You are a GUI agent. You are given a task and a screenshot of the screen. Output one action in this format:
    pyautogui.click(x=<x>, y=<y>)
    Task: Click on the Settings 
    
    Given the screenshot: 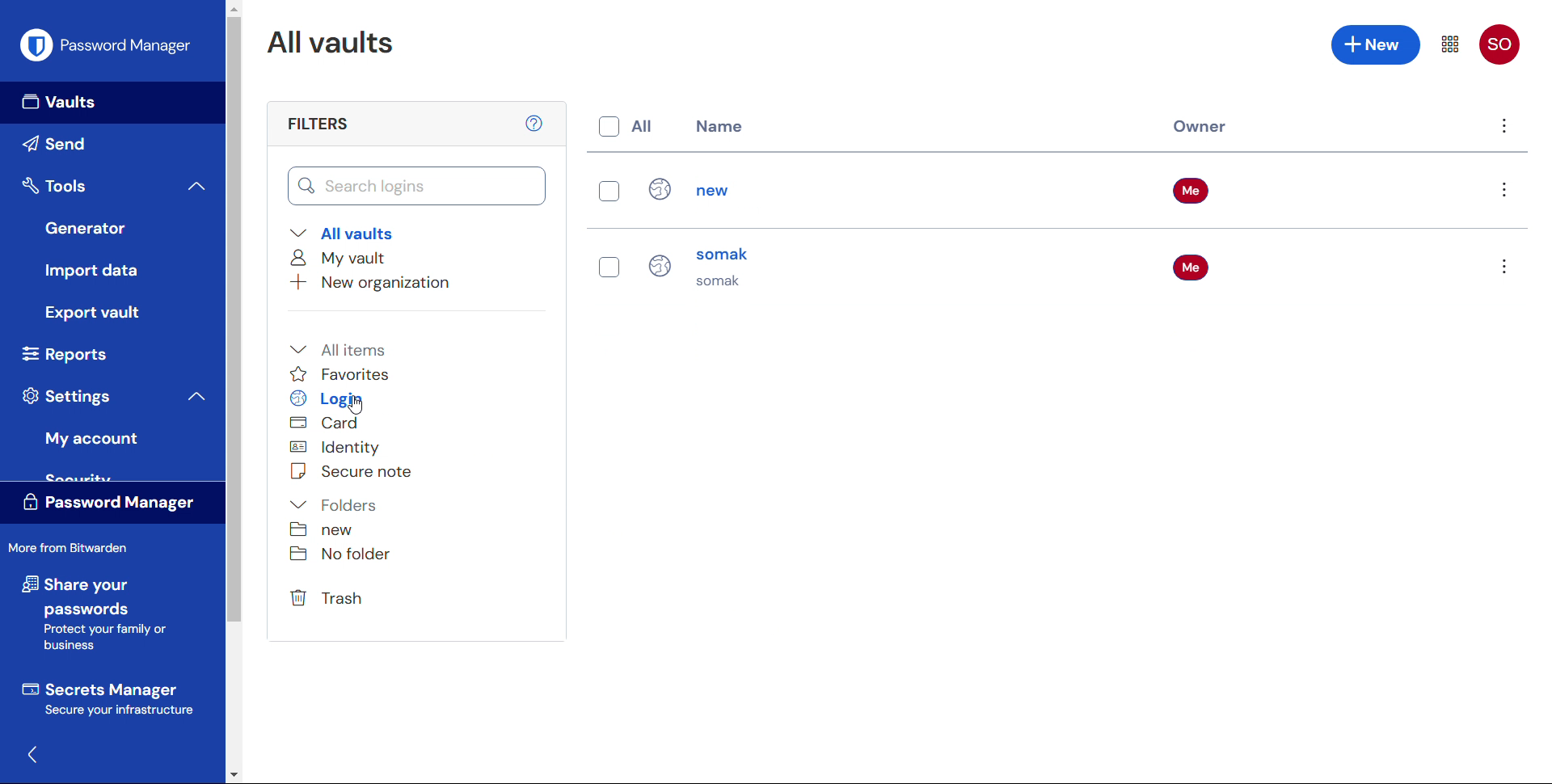 What is the action you would take?
    pyautogui.click(x=70, y=397)
    